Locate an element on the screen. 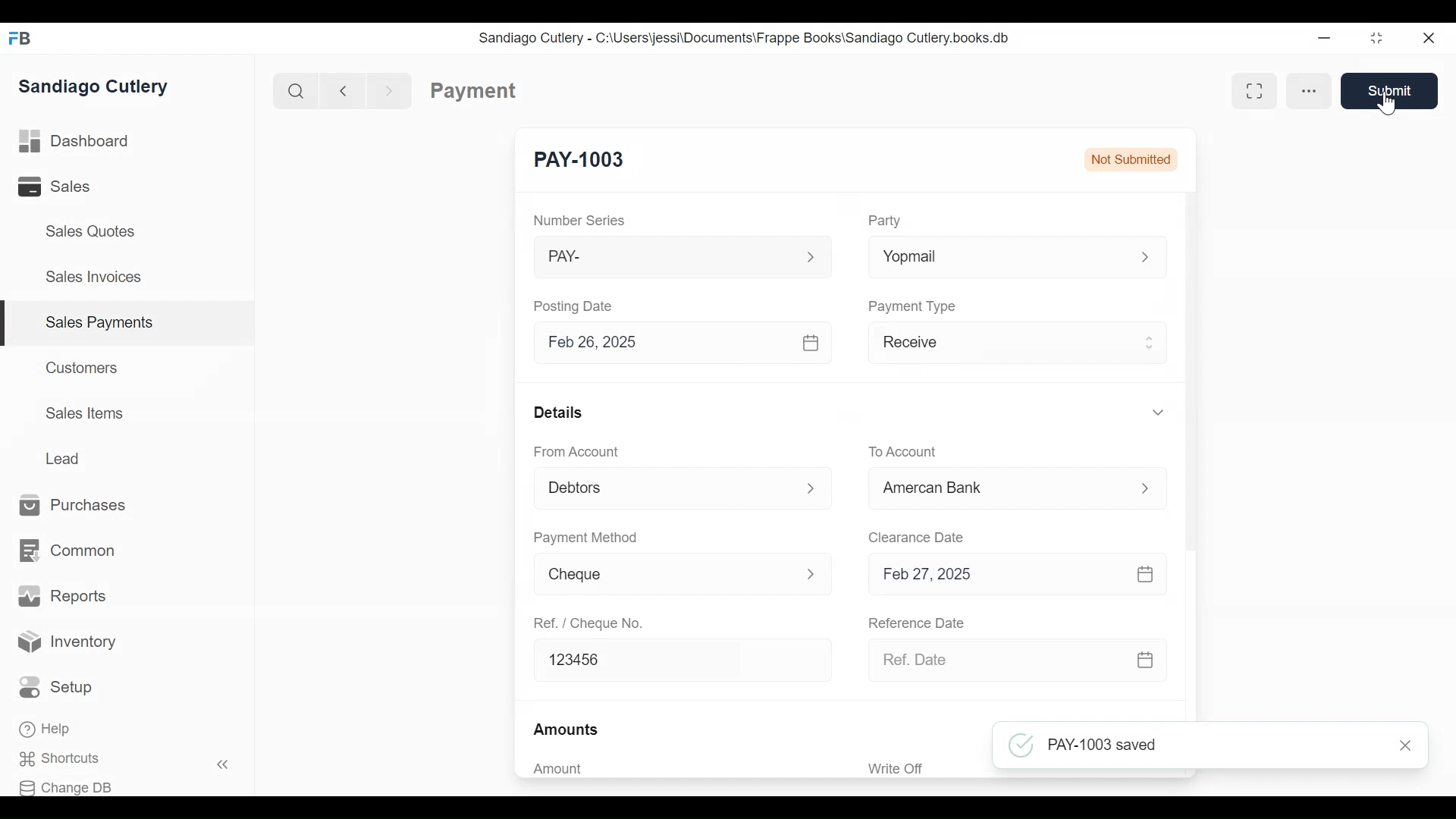 The width and height of the screenshot is (1456, 819). Search is located at coordinates (293, 90).